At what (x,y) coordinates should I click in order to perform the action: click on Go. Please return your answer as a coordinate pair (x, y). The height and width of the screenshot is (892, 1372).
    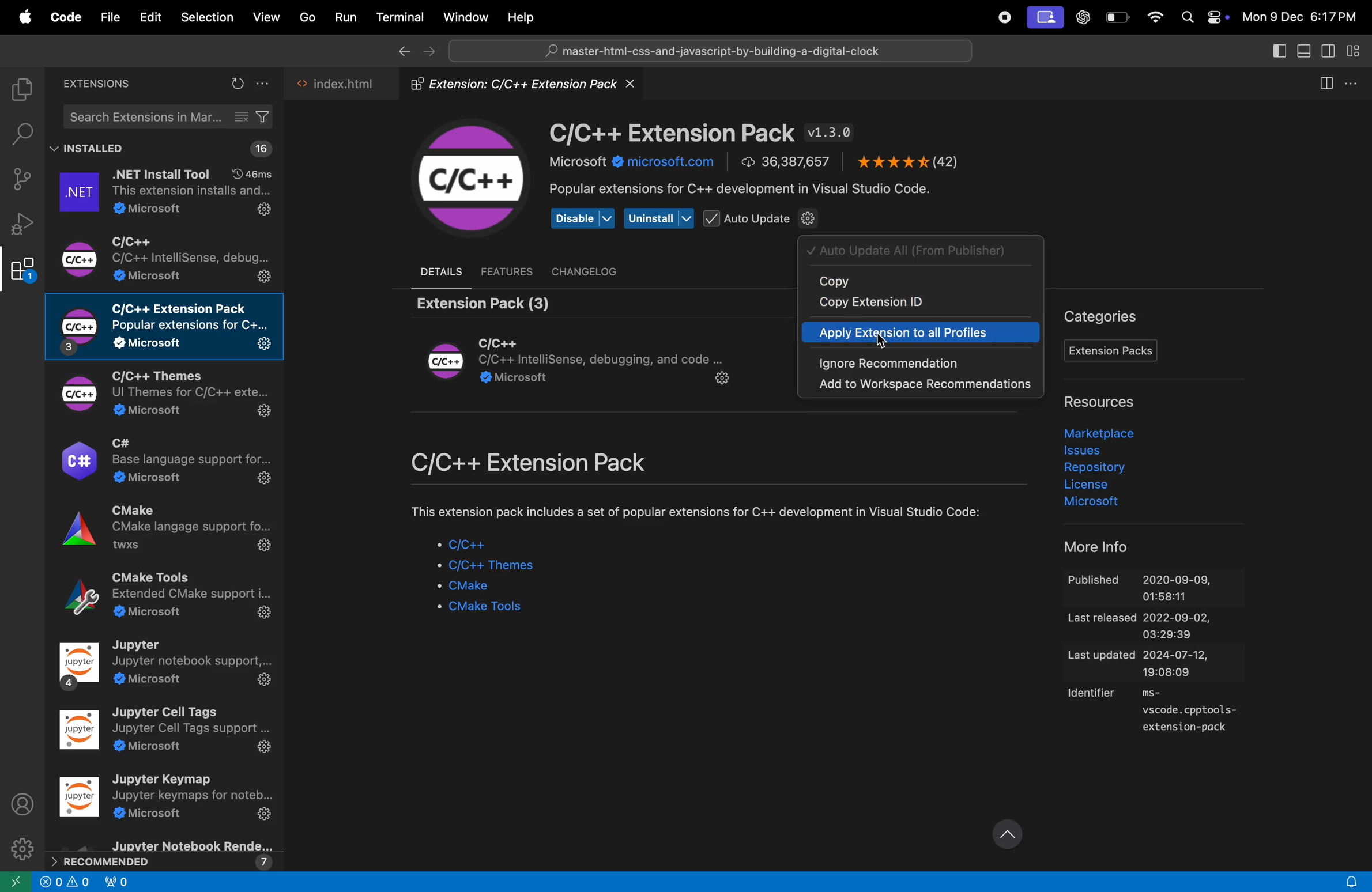
    Looking at the image, I should click on (308, 17).